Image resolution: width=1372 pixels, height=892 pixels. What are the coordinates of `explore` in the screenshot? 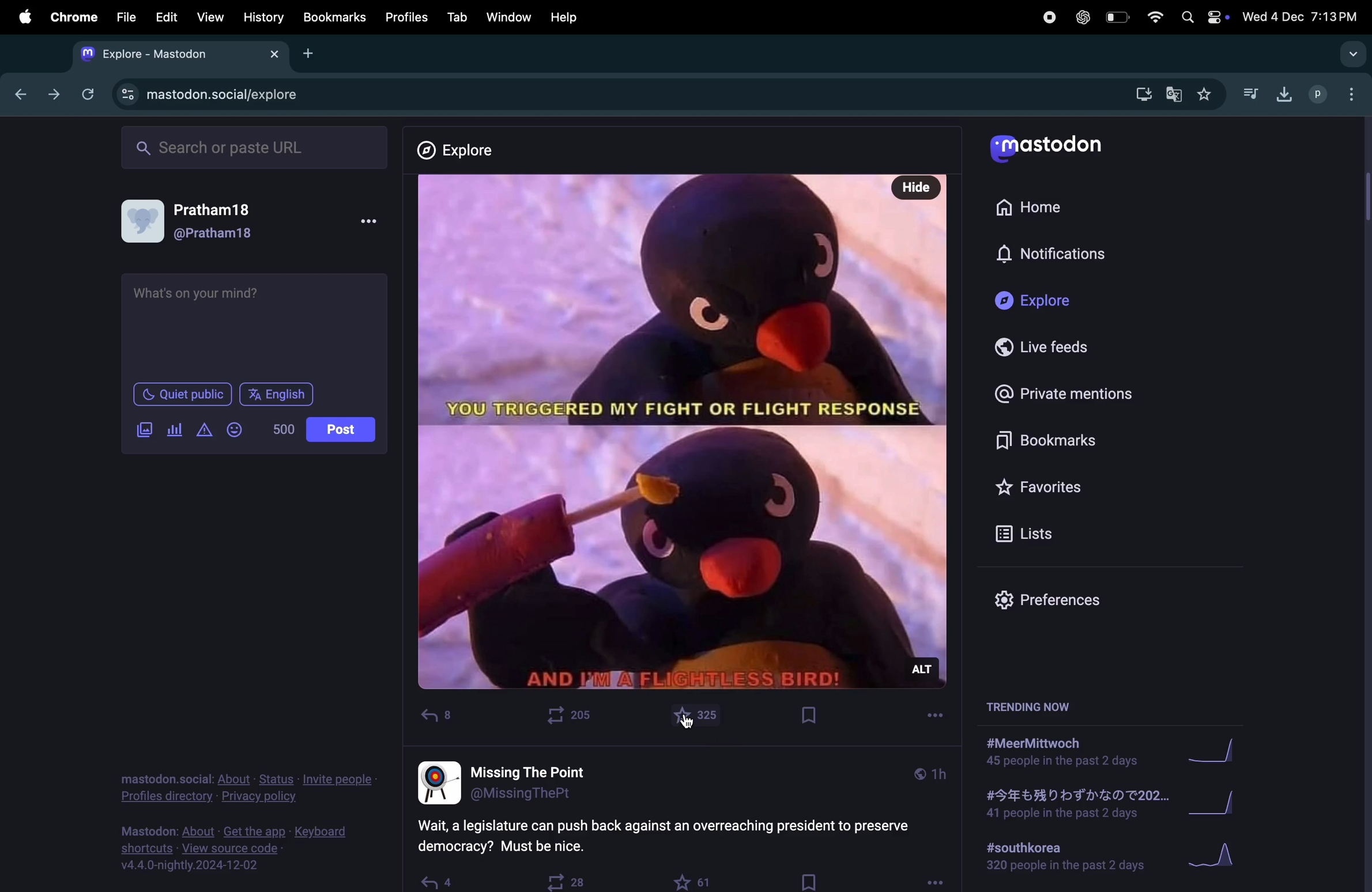 It's located at (1053, 300).